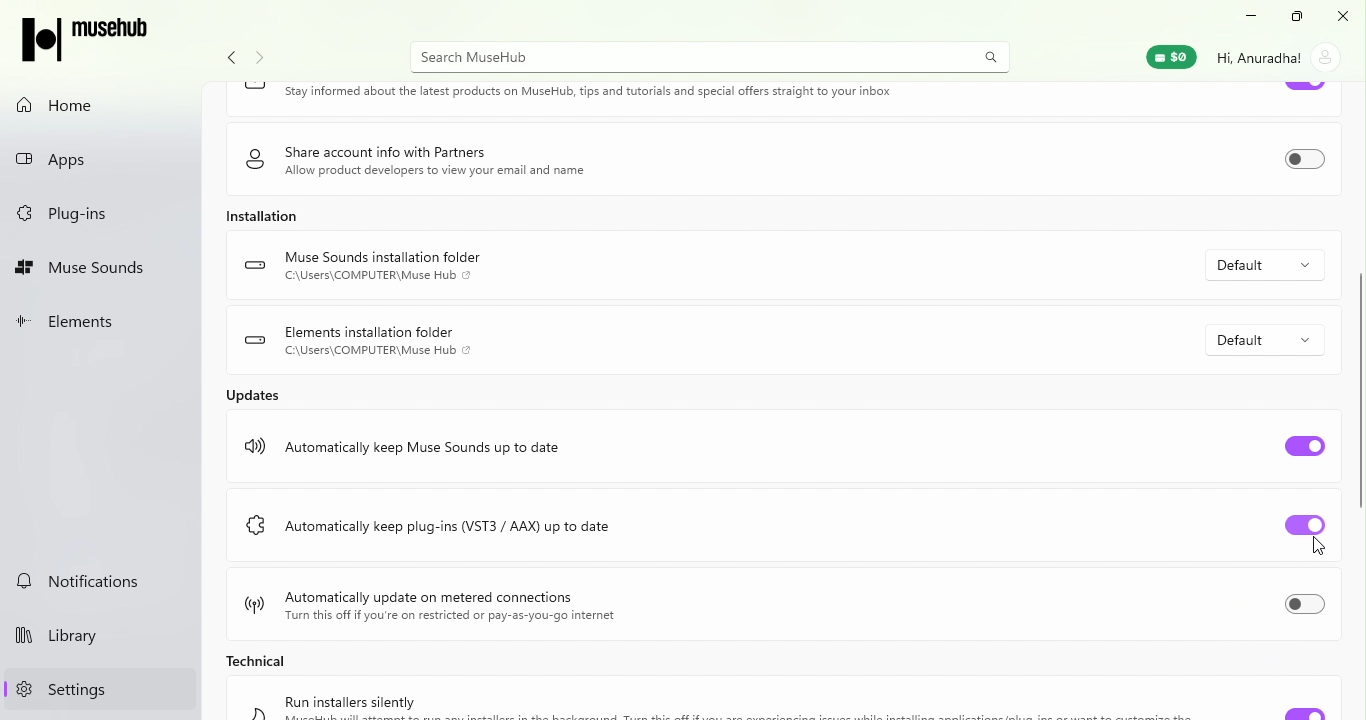 The width and height of the screenshot is (1366, 720). Describe the element at coordinates (252, 602) in the screenshot. I see `logo` at that location.